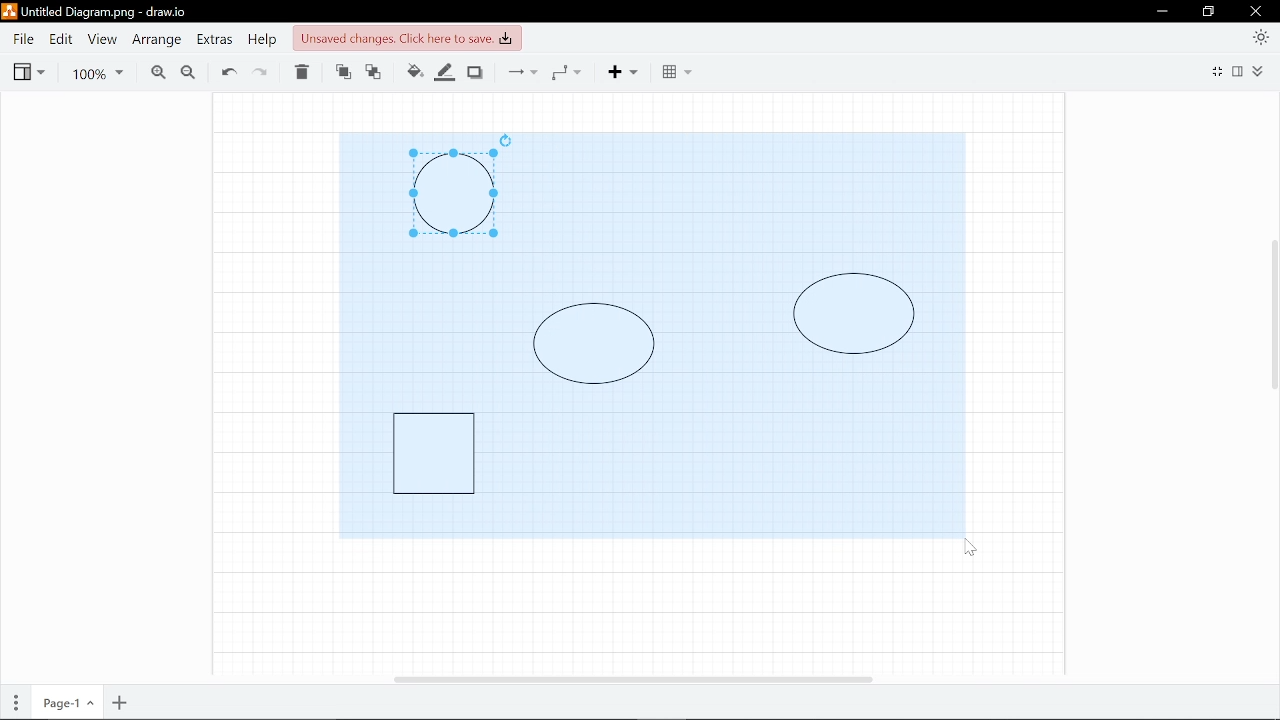 The height and width of the screenshot is (720, 1280). I want to click on Extras, so click(214, 39).